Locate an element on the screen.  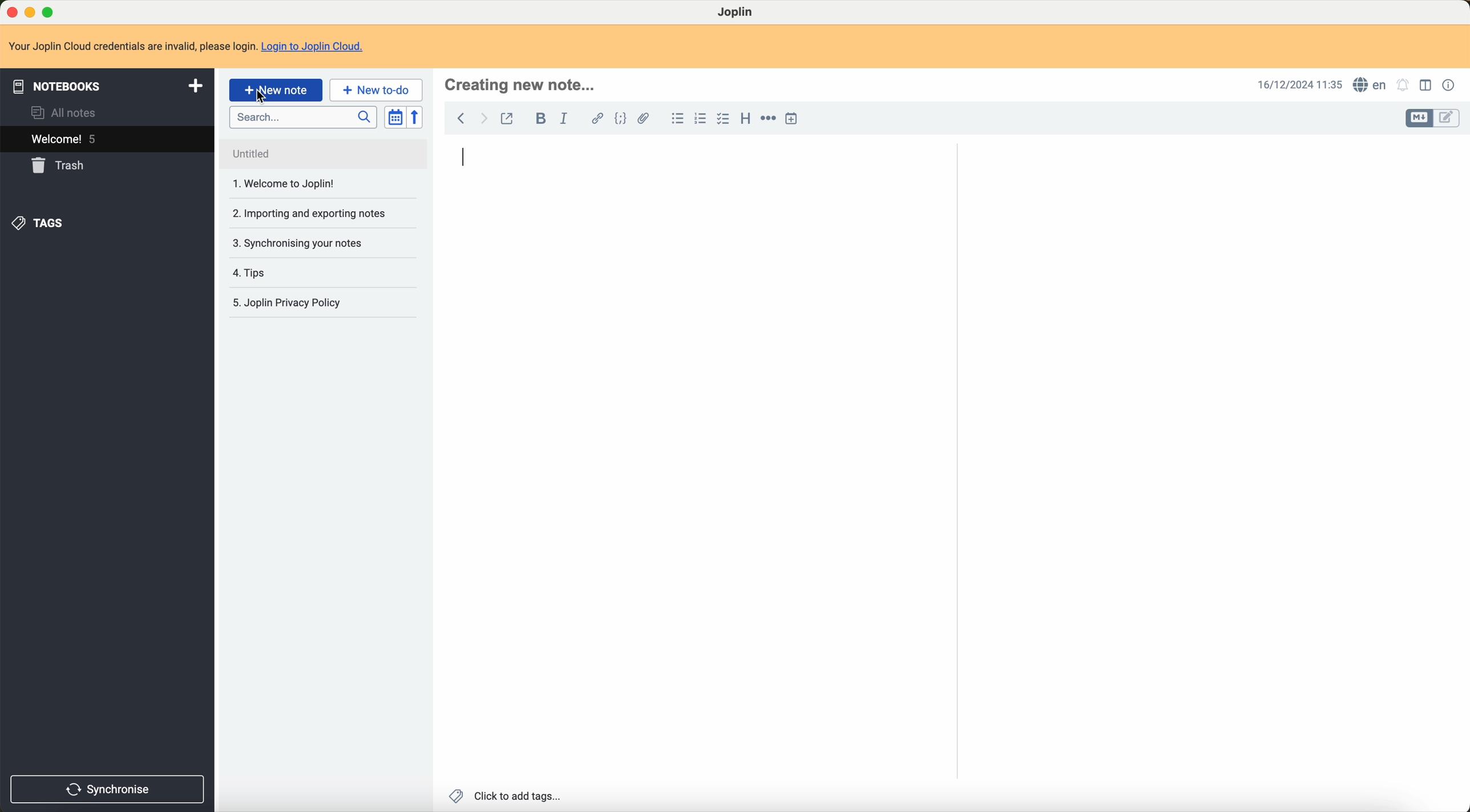
code is located at coordinates (618, 118).